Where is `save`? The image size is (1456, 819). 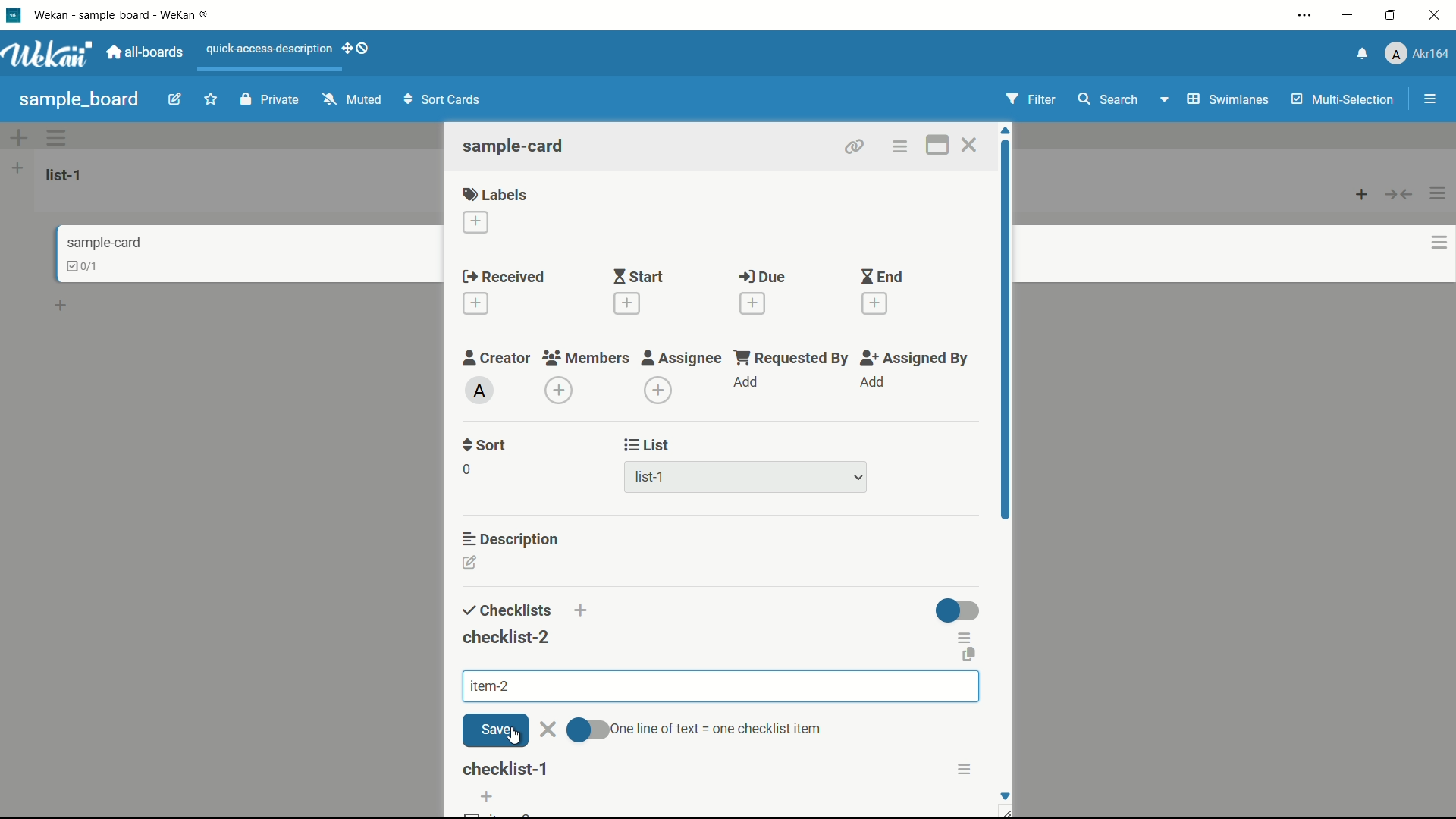 save is located at coordinates (495, 730).